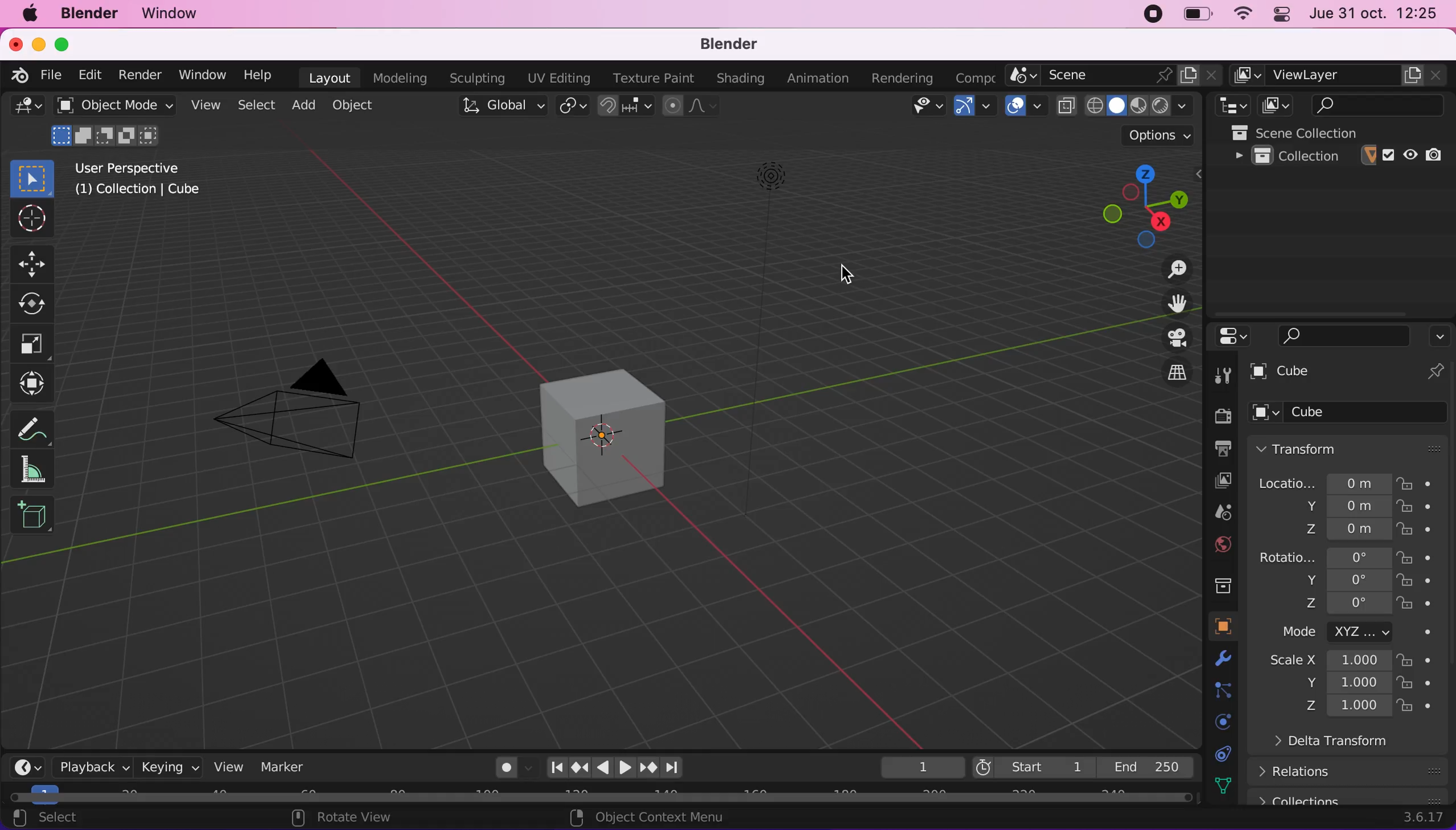  What do you see at coordinates (38, 45) in the screenshot?
I see `minimize` at bounding box center [38, 45].